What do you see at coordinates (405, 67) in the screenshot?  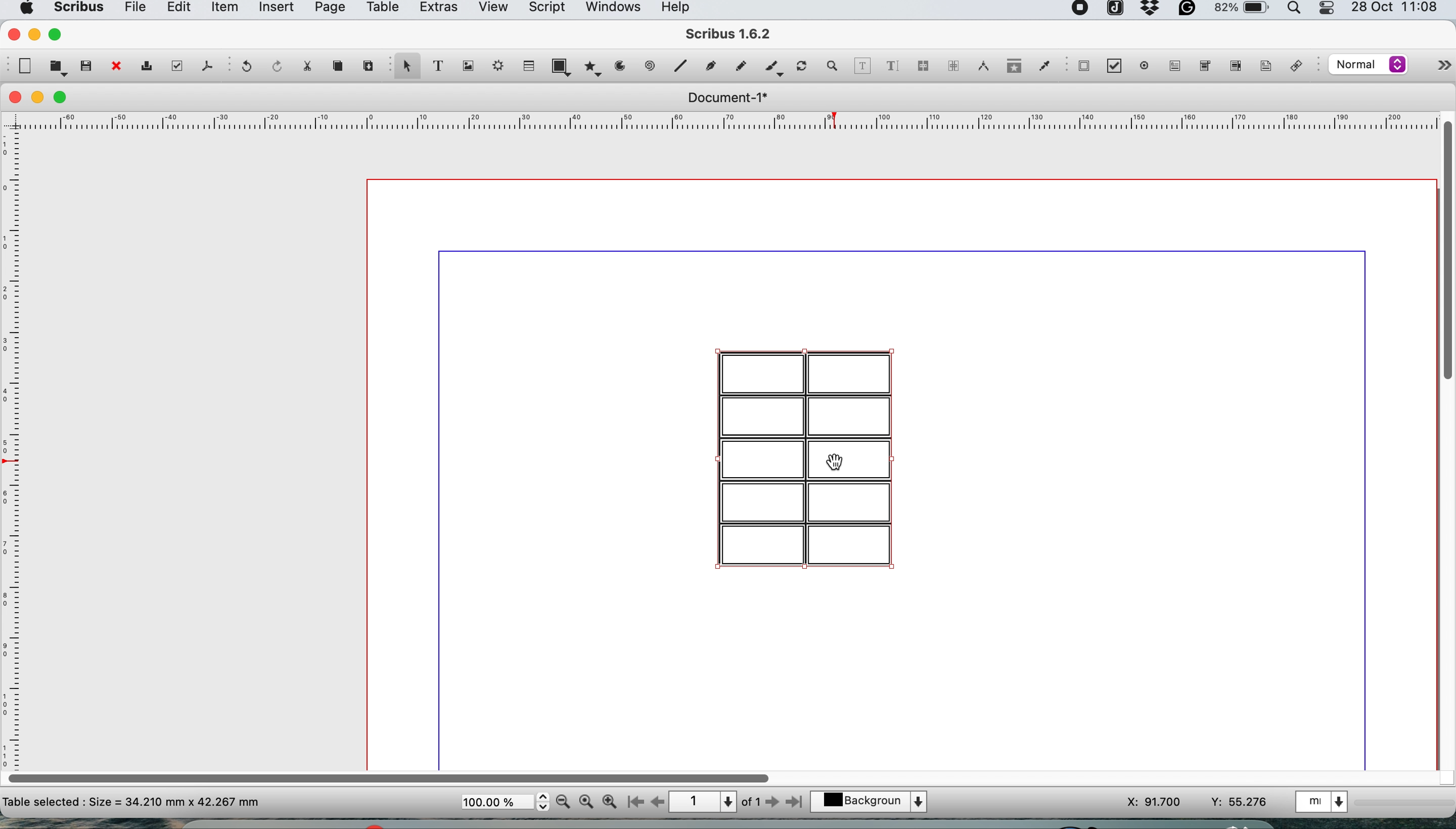 I see `select item` at bounding box center [405, 67].